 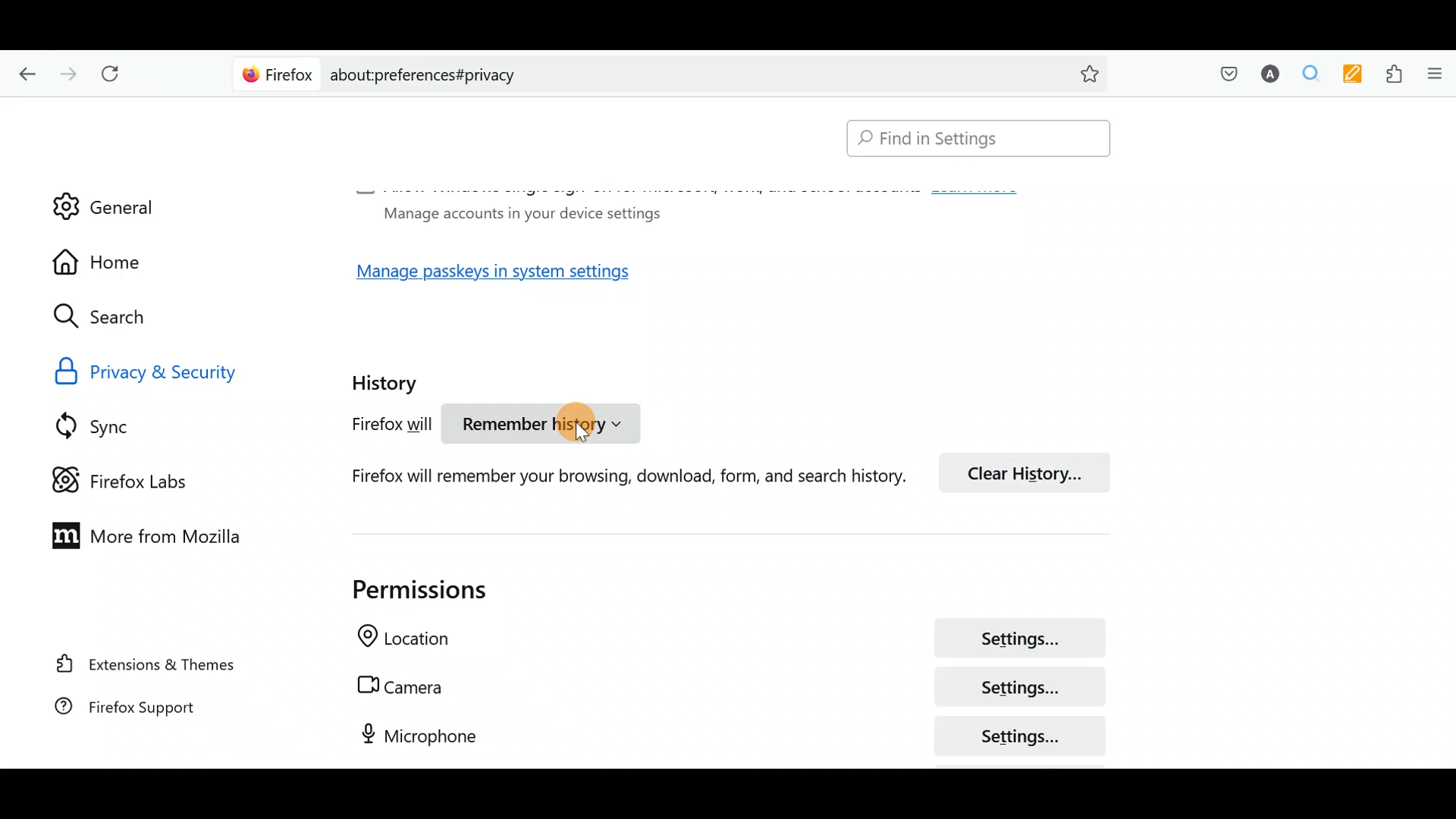 What do you see at coordinates (403, 589) in the screenshot?
I see `Permissions` at bounding box center [403, 589].